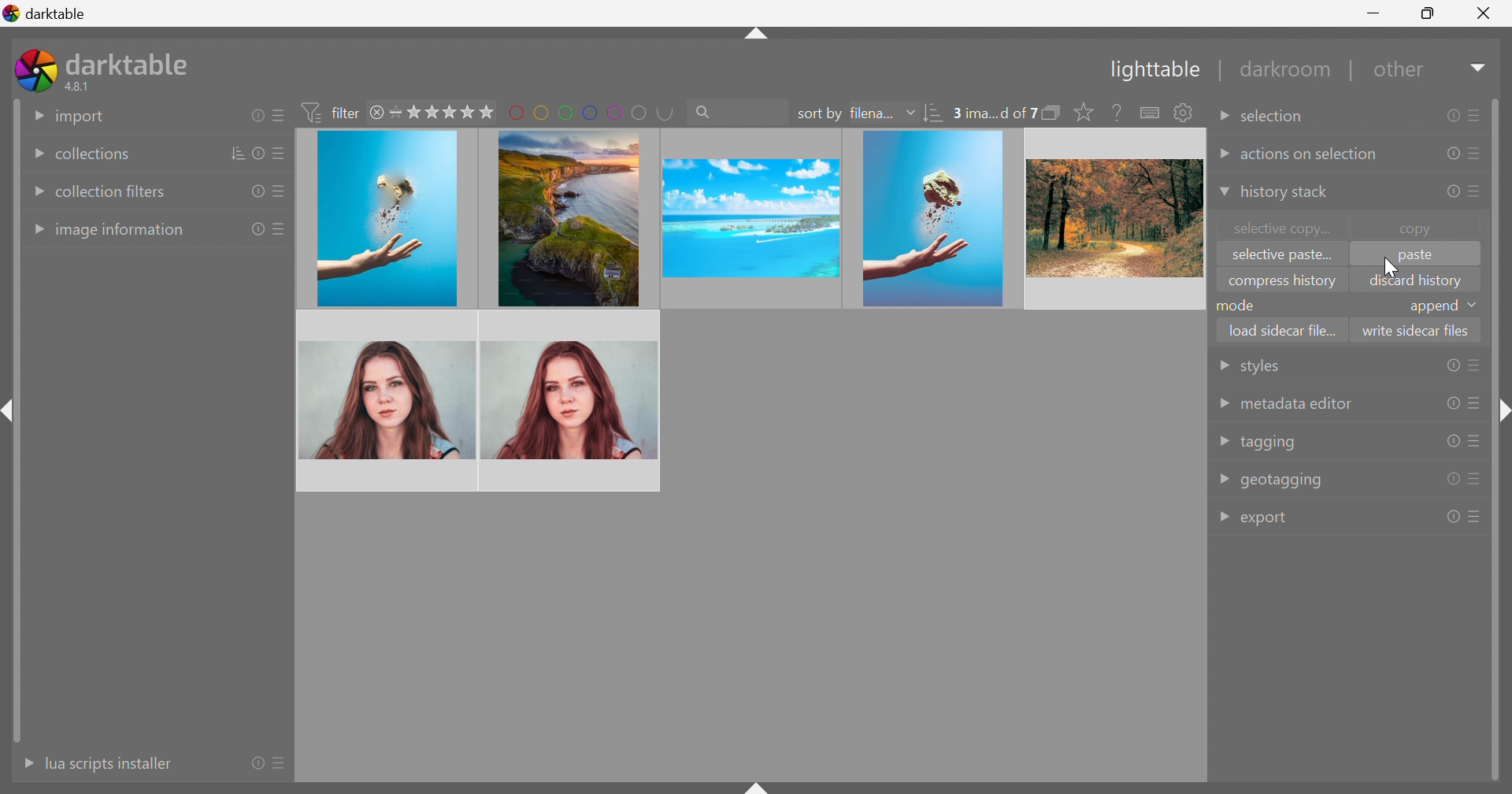  I want to click on reset, so click(256, 115).